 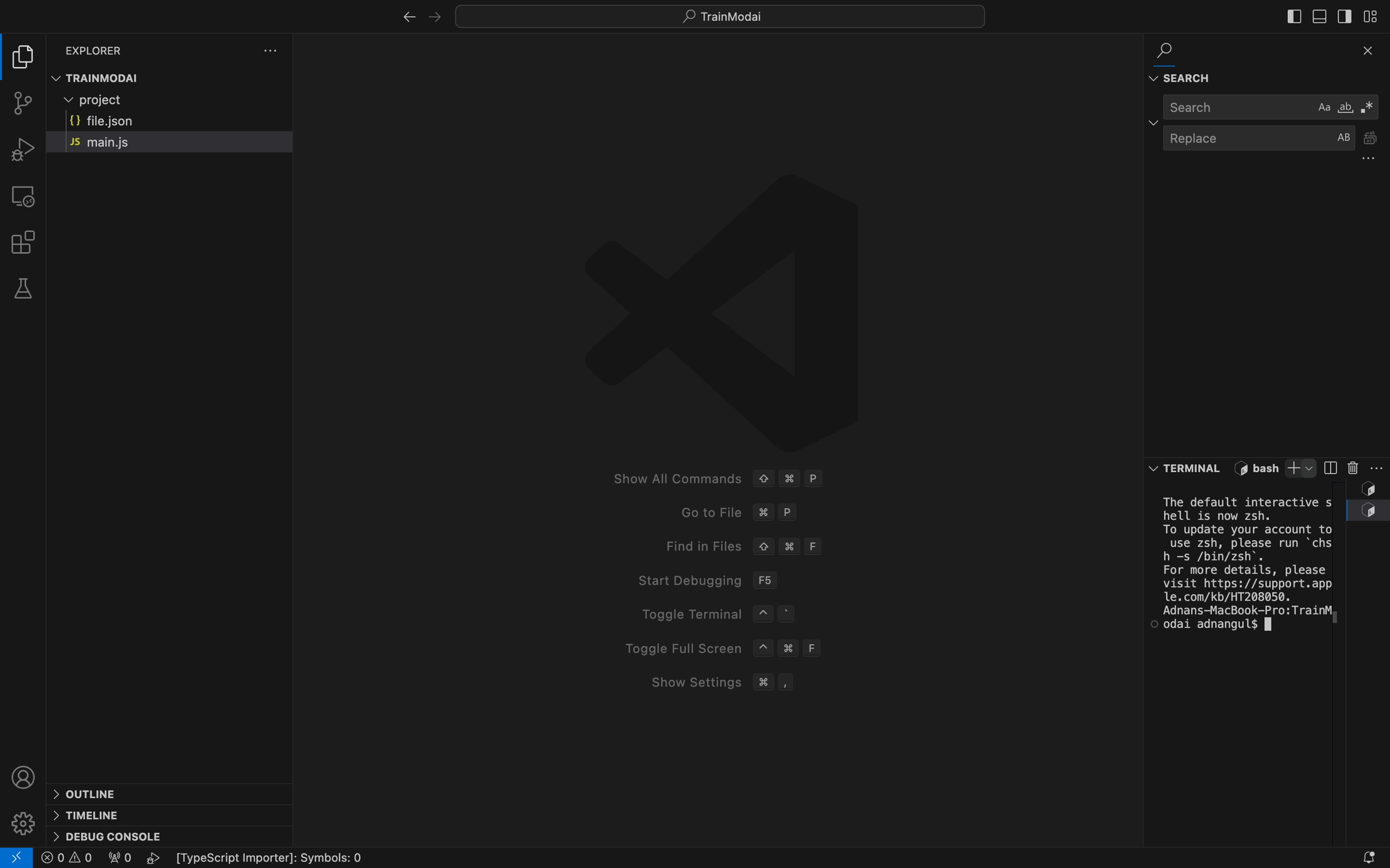 I want to click on play, so click(x=156, y=858).